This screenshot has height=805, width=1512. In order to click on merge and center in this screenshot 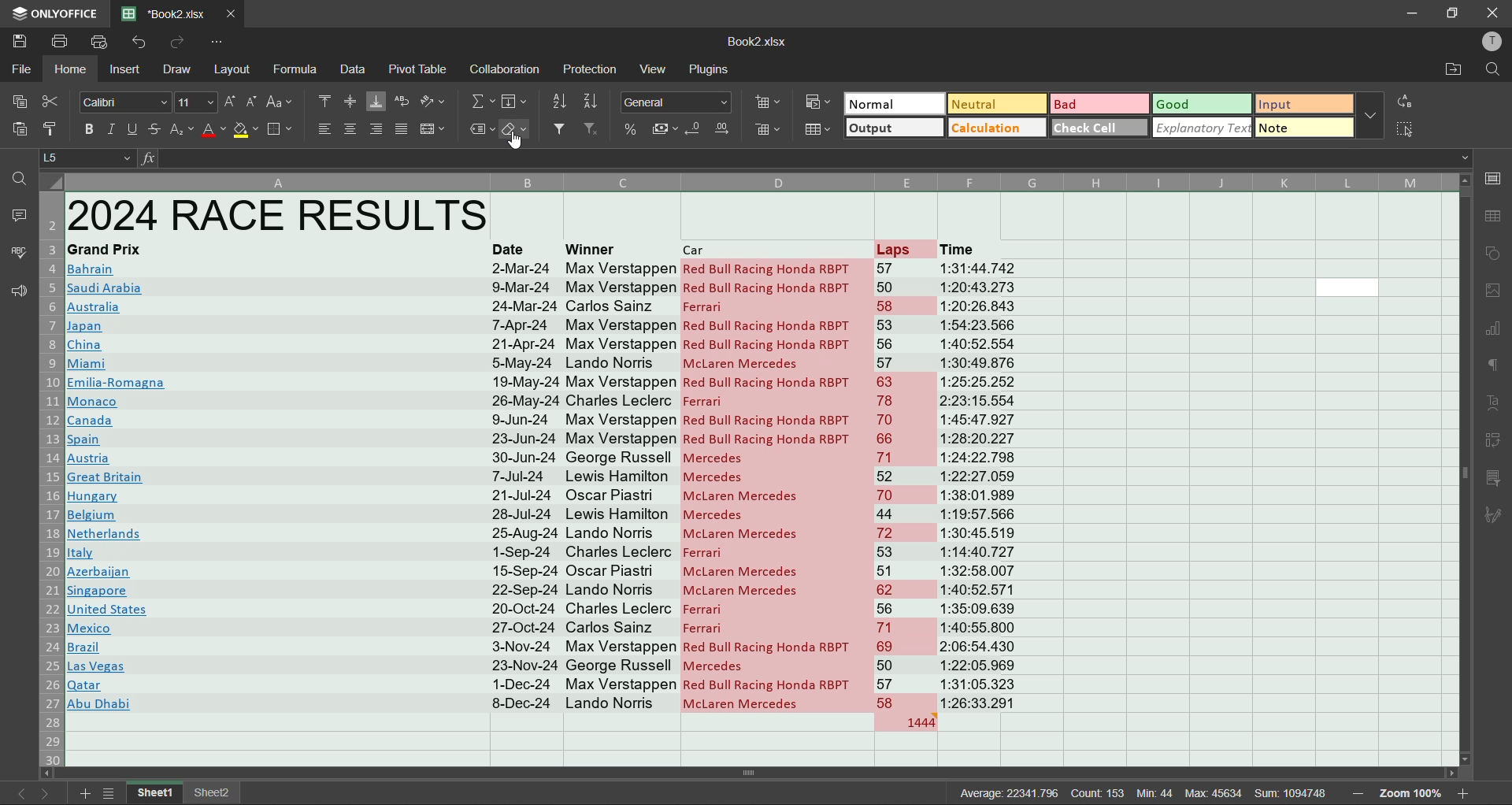, I will do `click(433, 129)`.